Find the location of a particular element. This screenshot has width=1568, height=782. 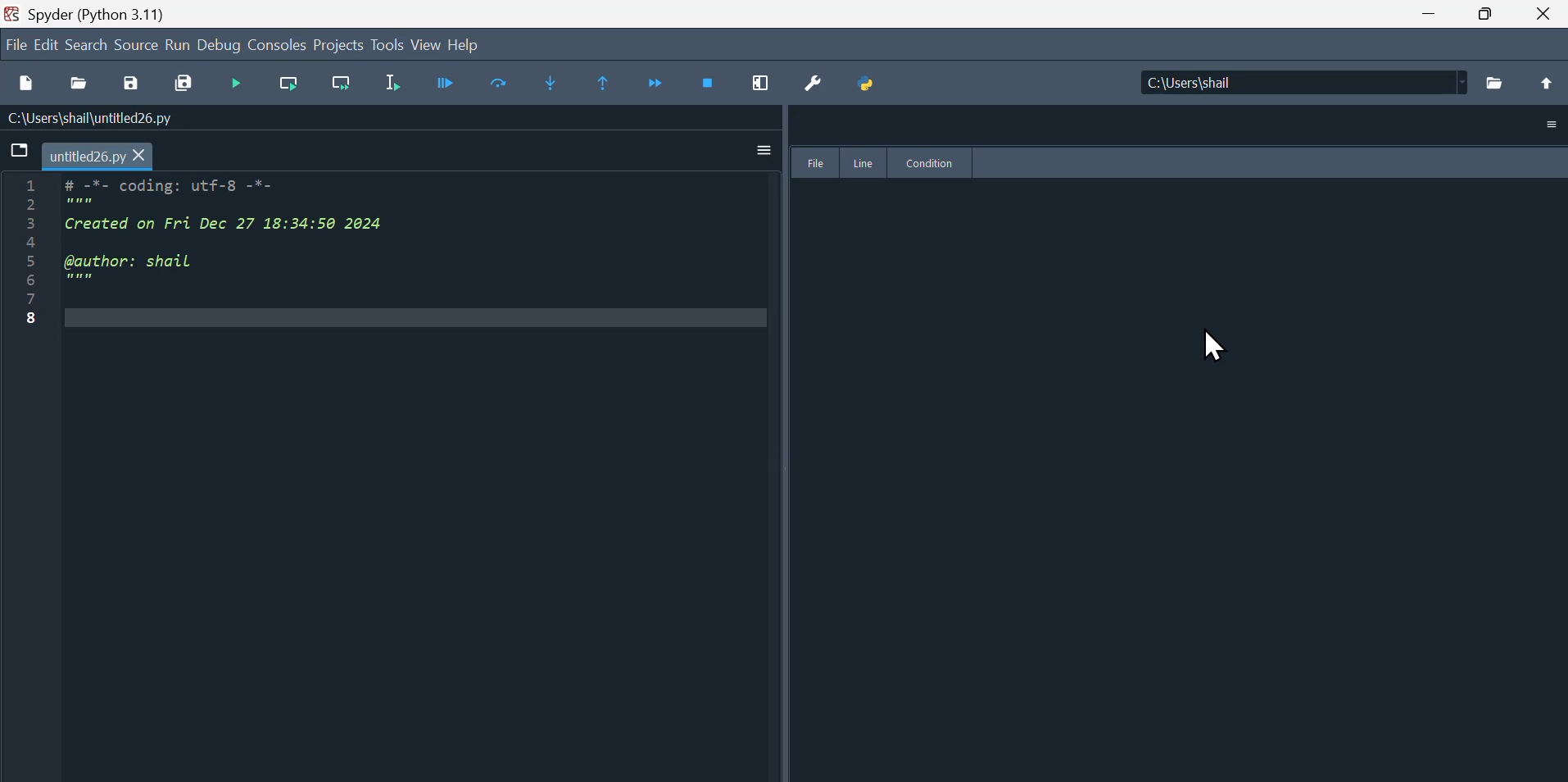

More Option is located at coordinates (1549, 125).